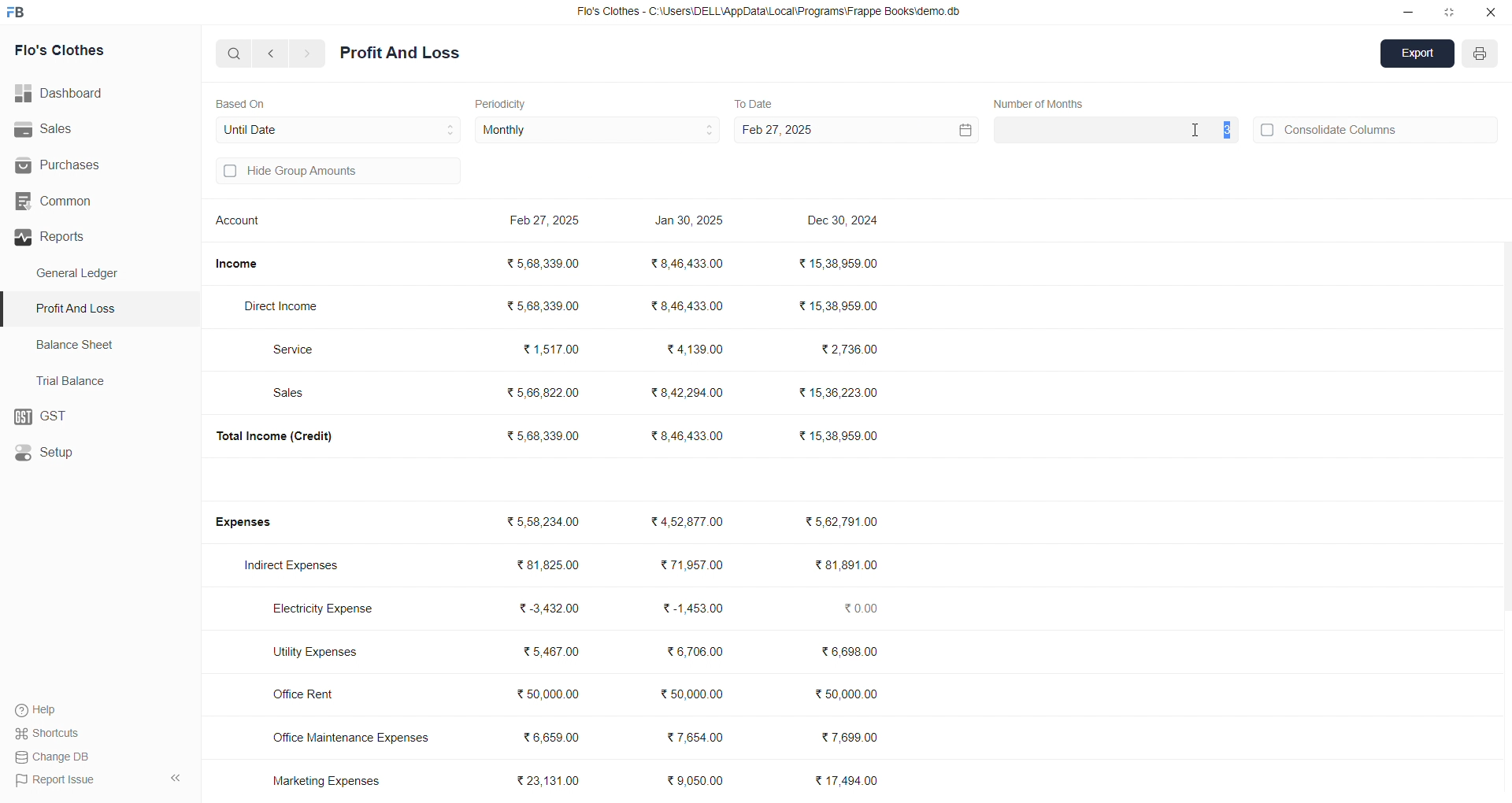 Image resolution: width=1512 pixels, height=803 pixels. Describe the element at coordinates (841, 520) in the screenshot. I see `₹5,62,791.00` at that location.